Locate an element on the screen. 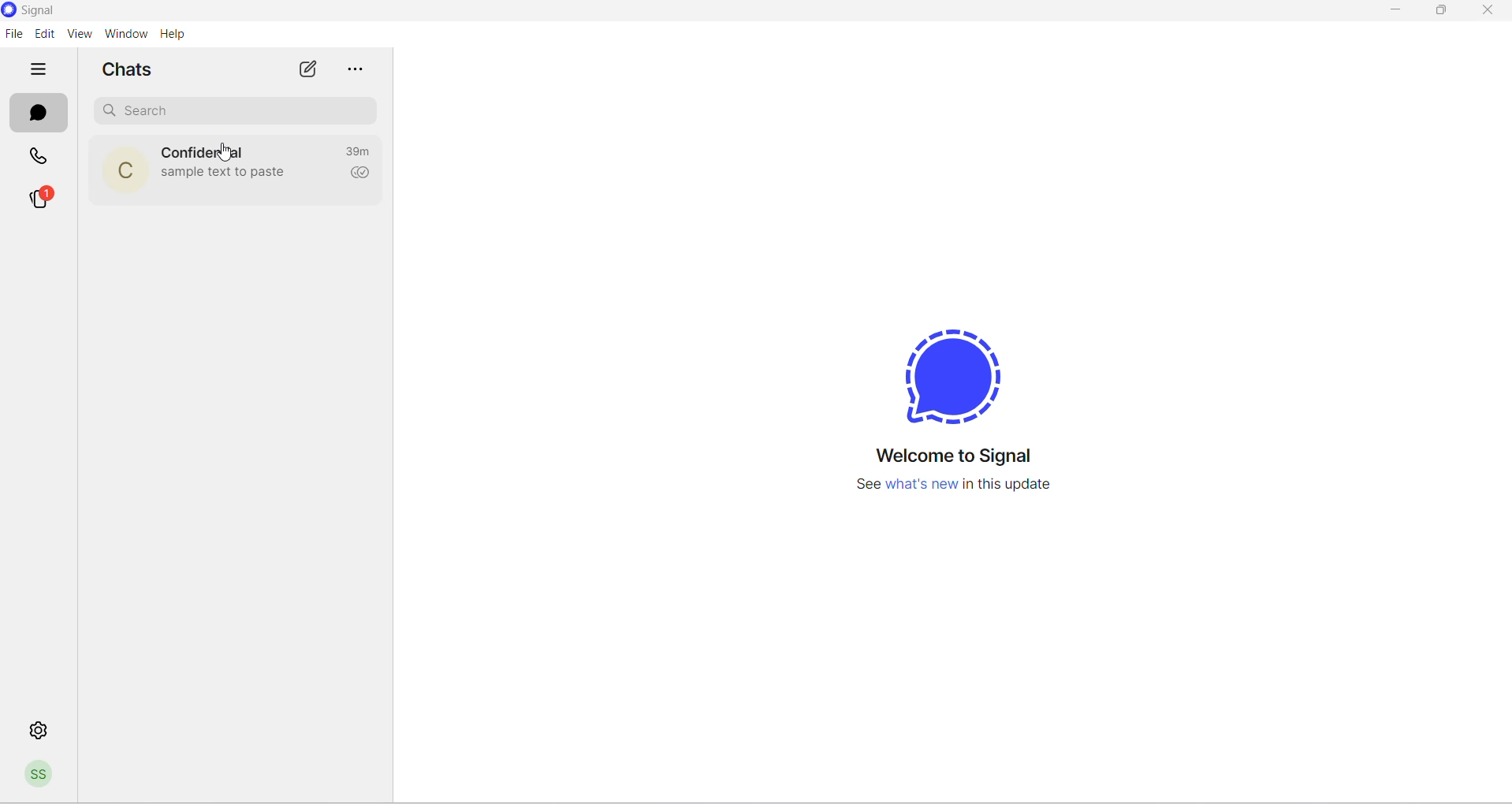 The height and width of the screenshot is (804, 1512). profile picture is located at coordinates (117, 171).